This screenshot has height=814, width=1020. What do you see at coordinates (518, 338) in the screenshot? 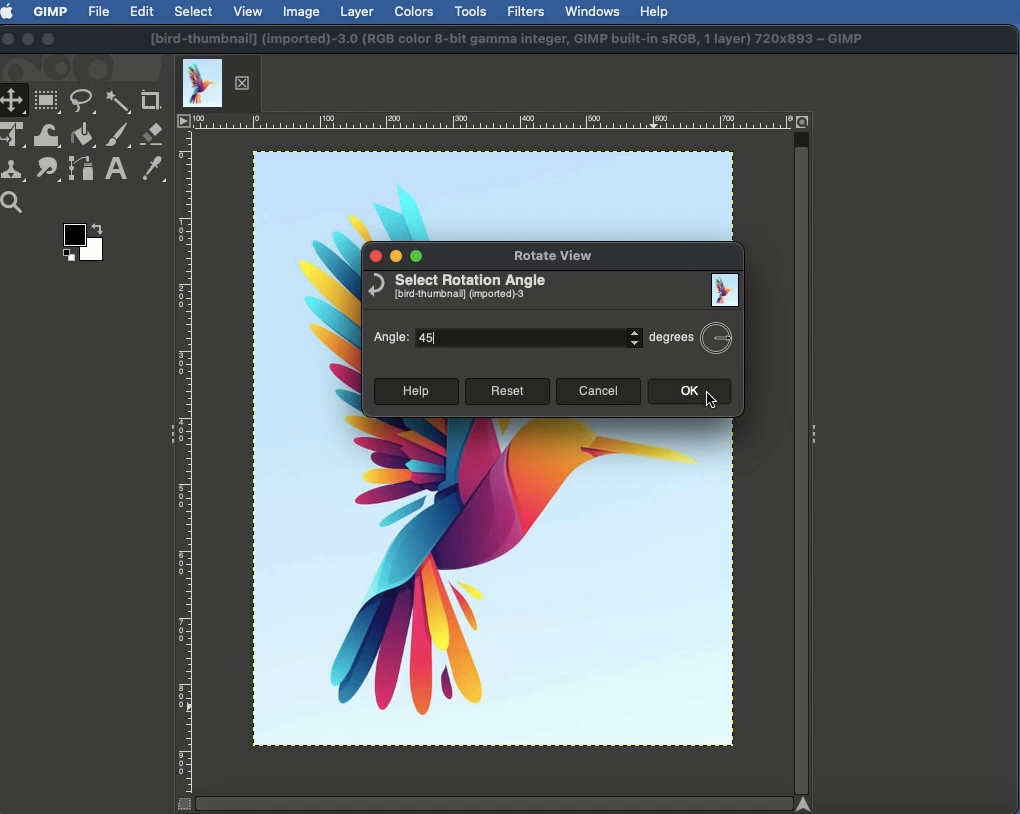
I see `45` at bounding box center [518, 338].